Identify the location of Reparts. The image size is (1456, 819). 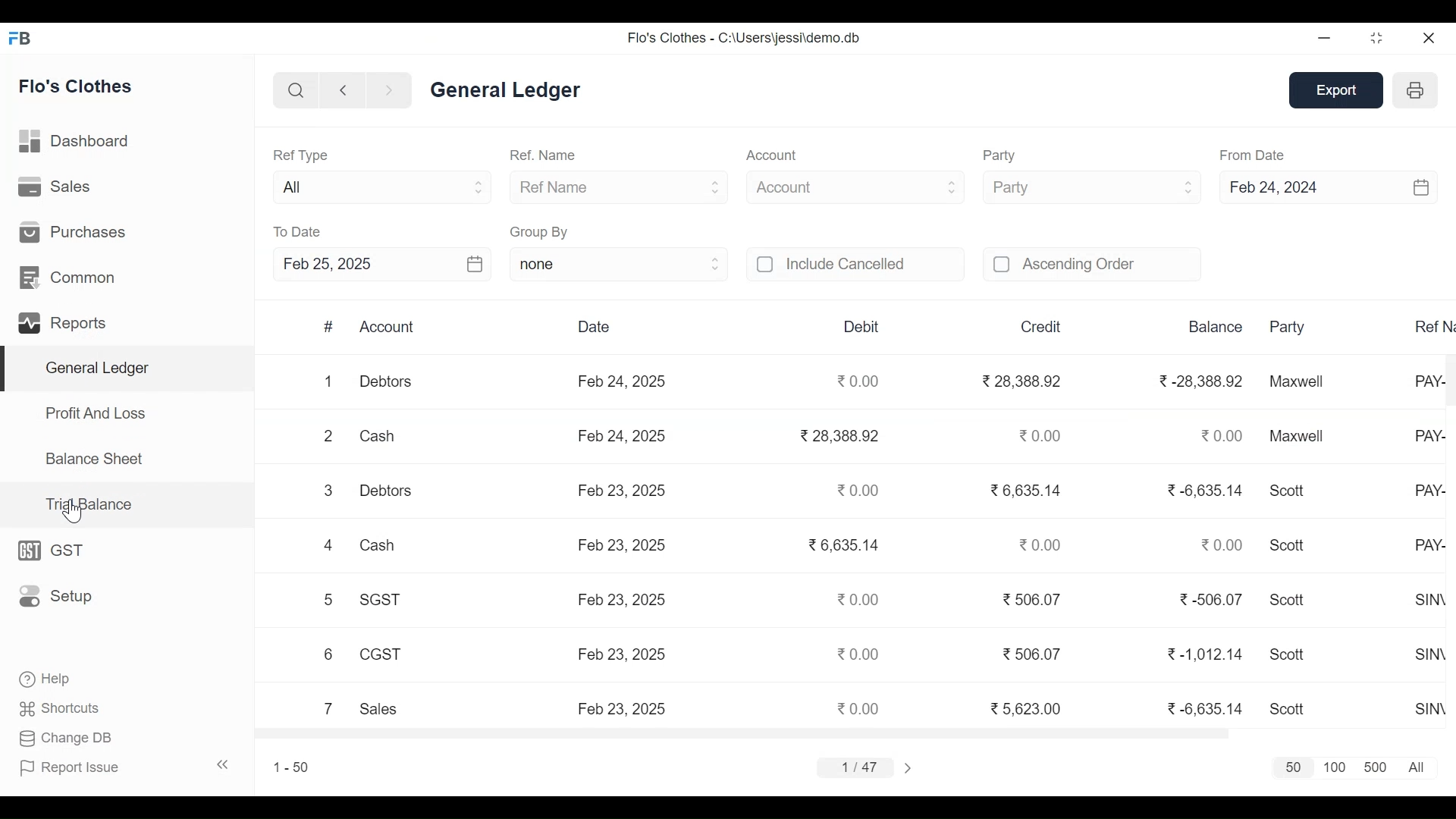
(66, 322).